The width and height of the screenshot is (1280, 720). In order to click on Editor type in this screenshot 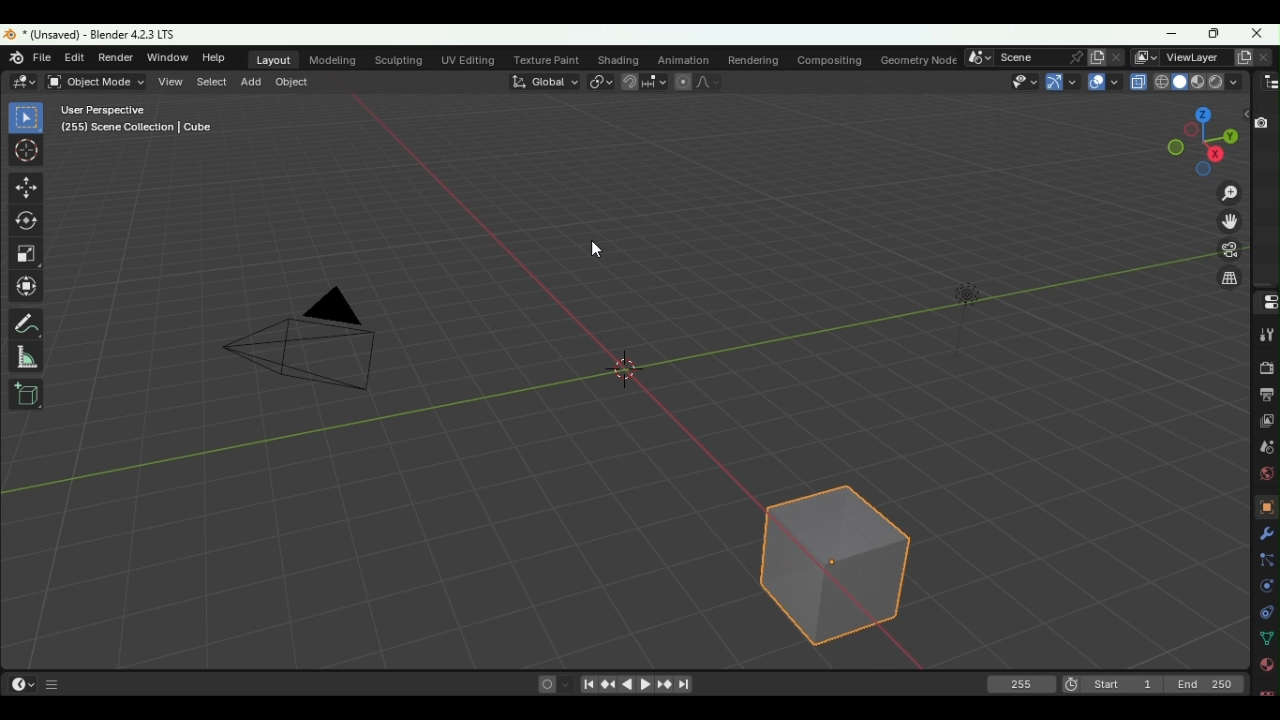, I will do `click(22, 683)`.